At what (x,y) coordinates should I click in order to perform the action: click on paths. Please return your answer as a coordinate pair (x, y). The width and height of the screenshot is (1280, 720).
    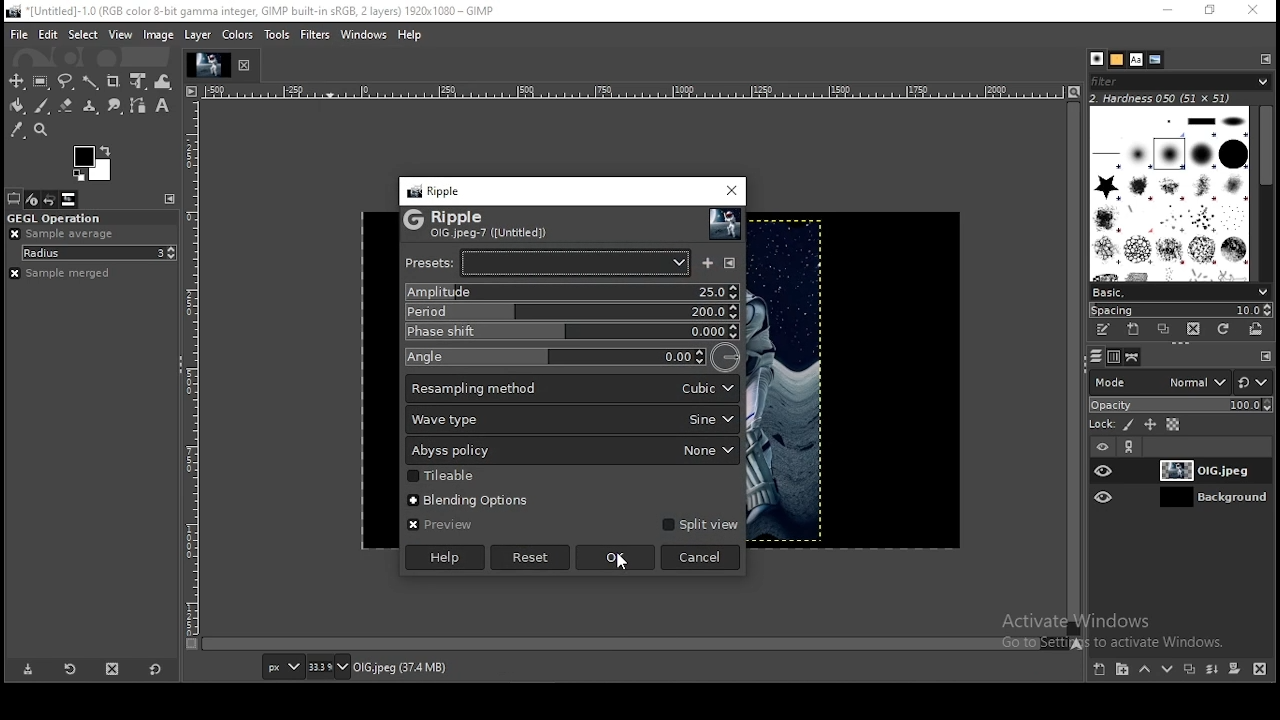
    Looking at the image, I should click on (1132, 357).